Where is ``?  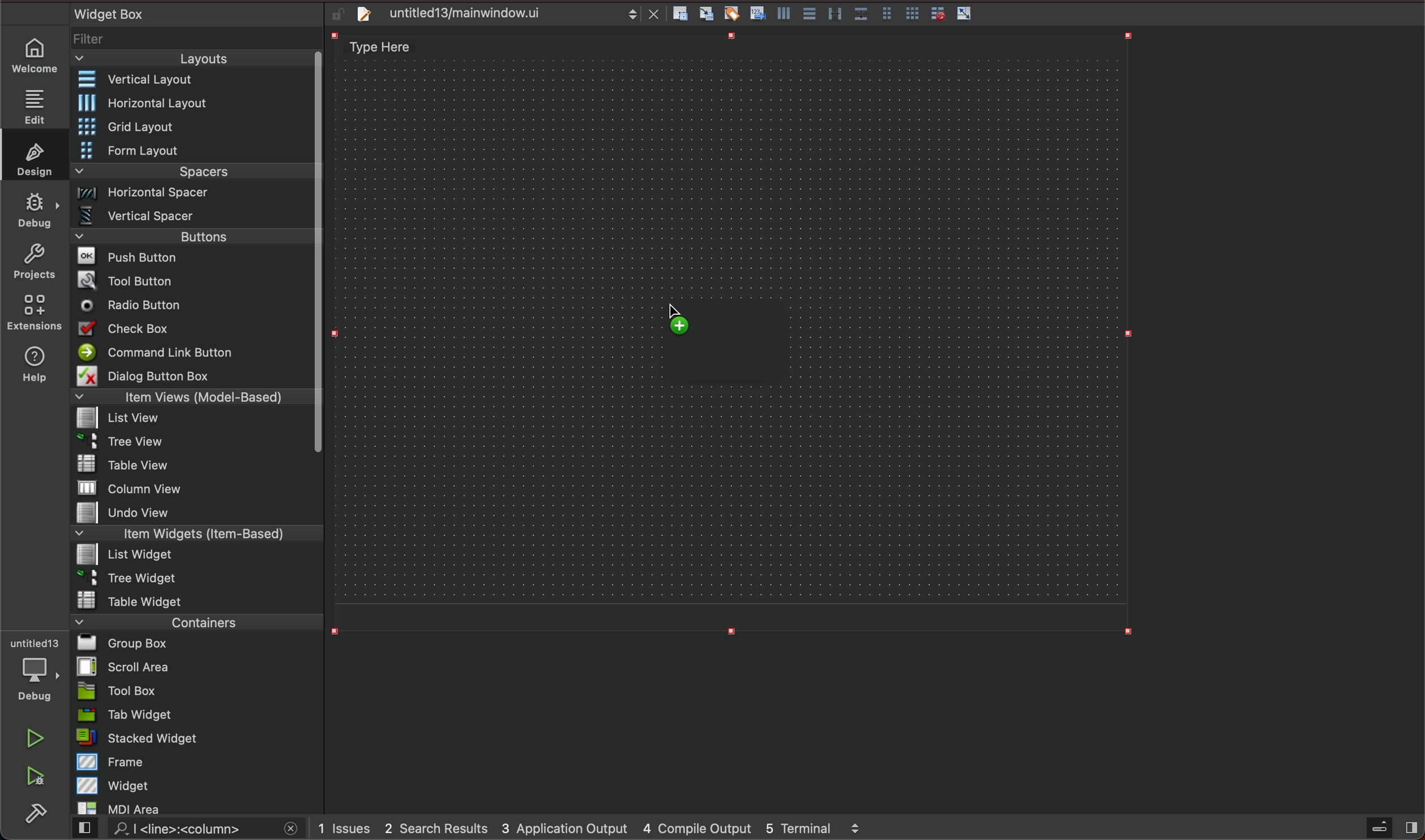  is located at coordinates (682, 14).